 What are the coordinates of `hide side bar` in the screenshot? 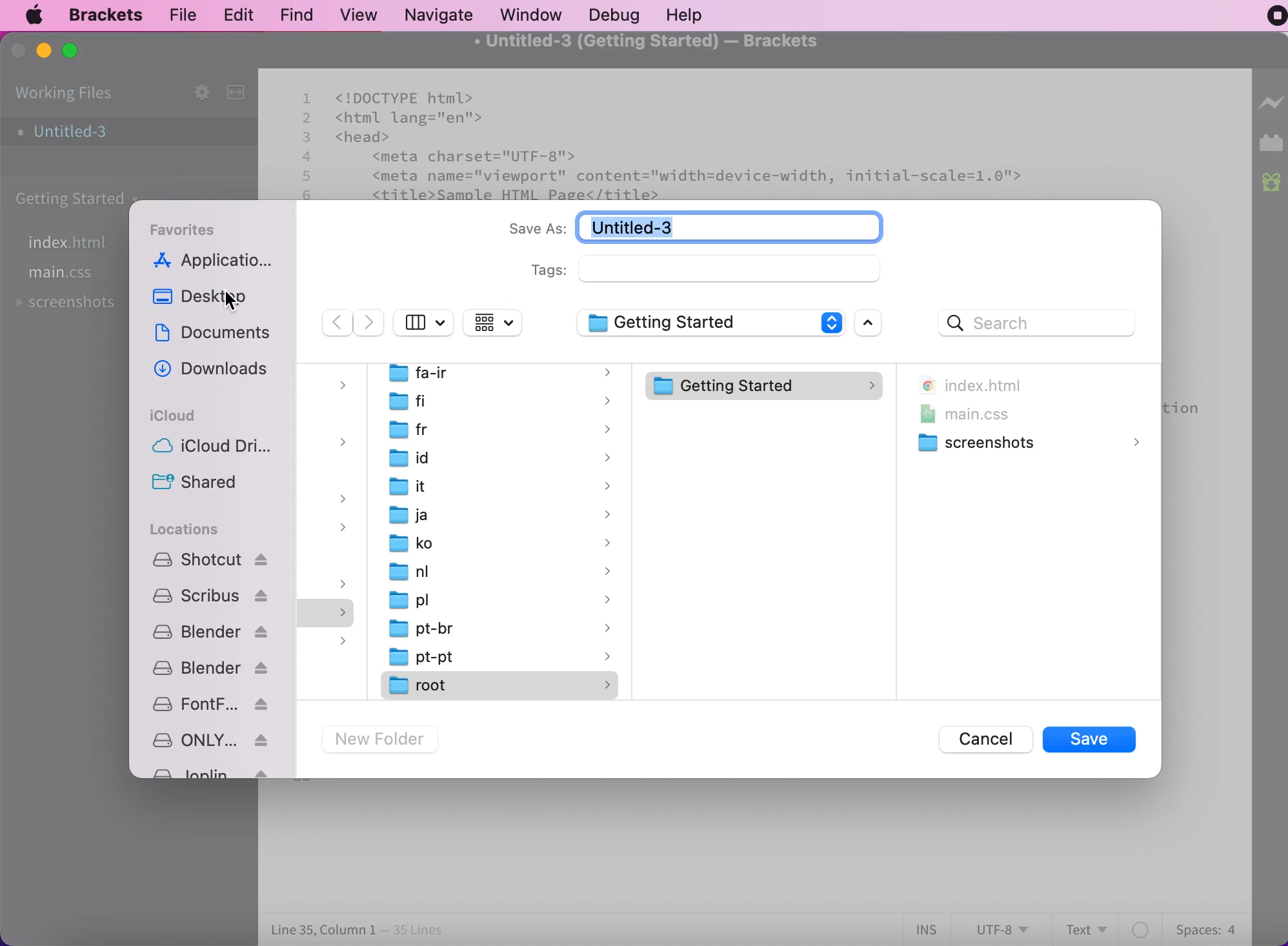 It's located at (424, 324).